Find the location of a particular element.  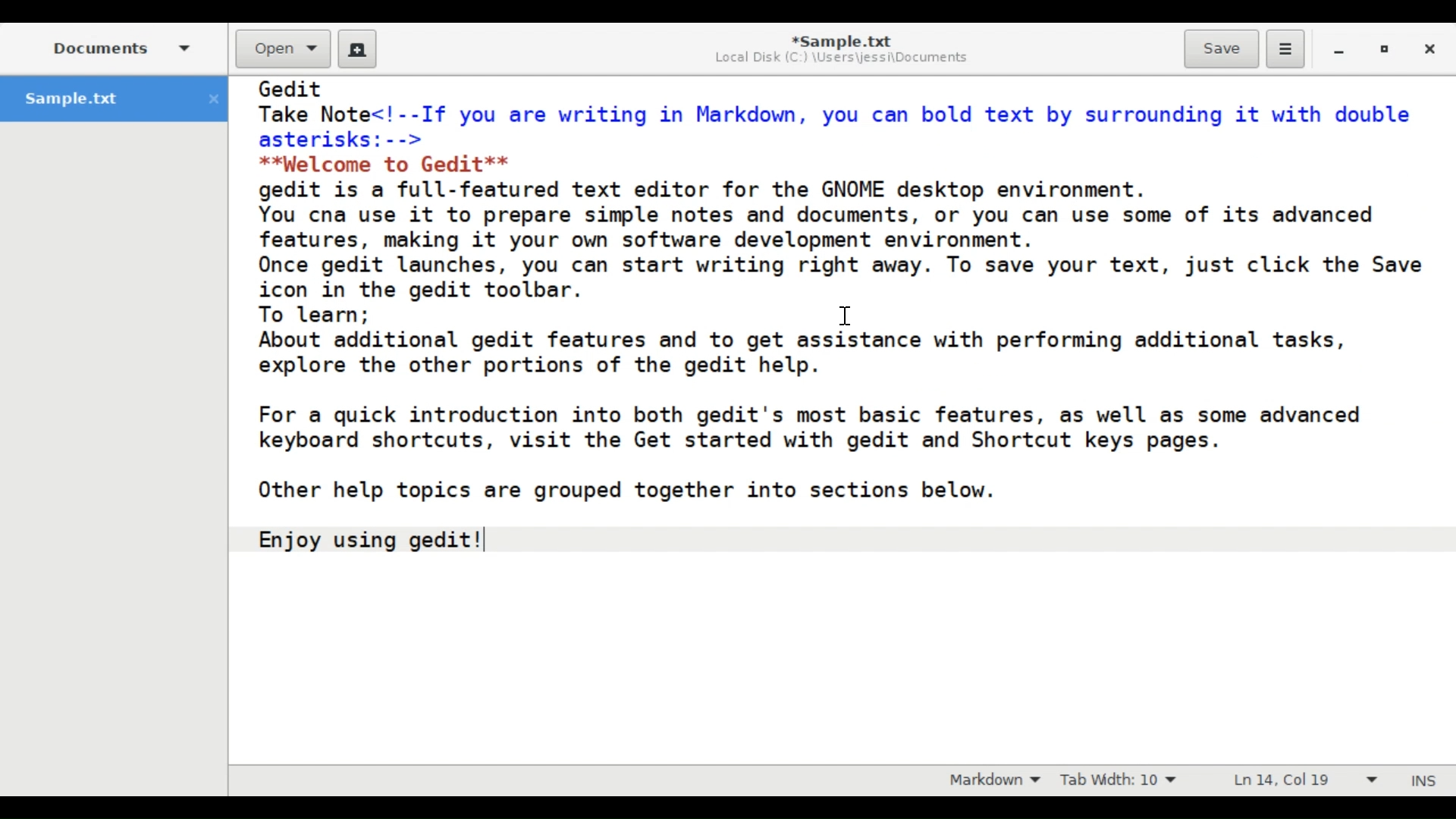

Sample.txt is located at coordinates (843, 41).